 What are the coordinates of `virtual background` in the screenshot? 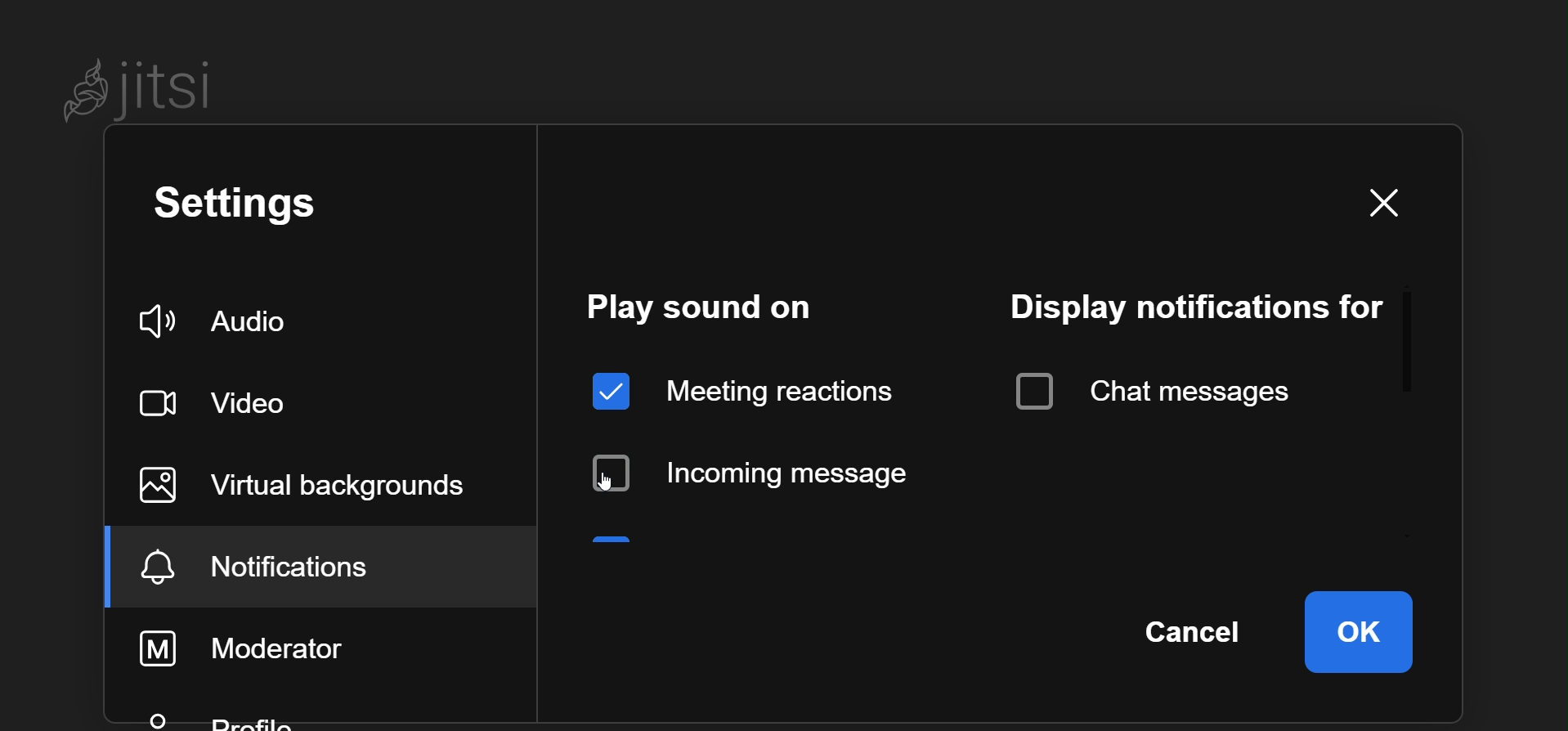 It's located at (322, 483).